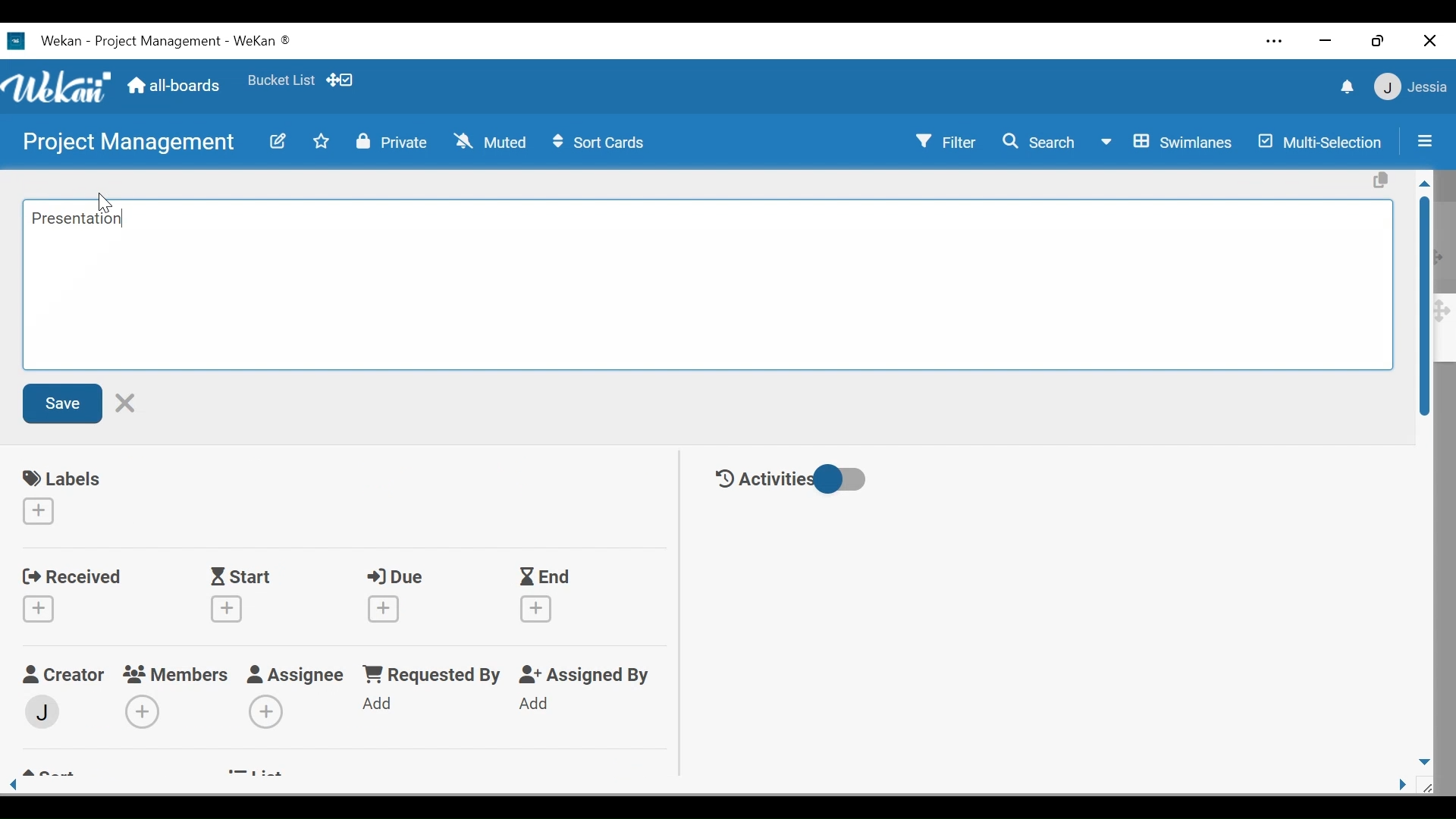 This screenshot has width=1456, height=819. Describe the element at coordinates (39, 609) in the screenshot. I see `Create Received date` at that location.